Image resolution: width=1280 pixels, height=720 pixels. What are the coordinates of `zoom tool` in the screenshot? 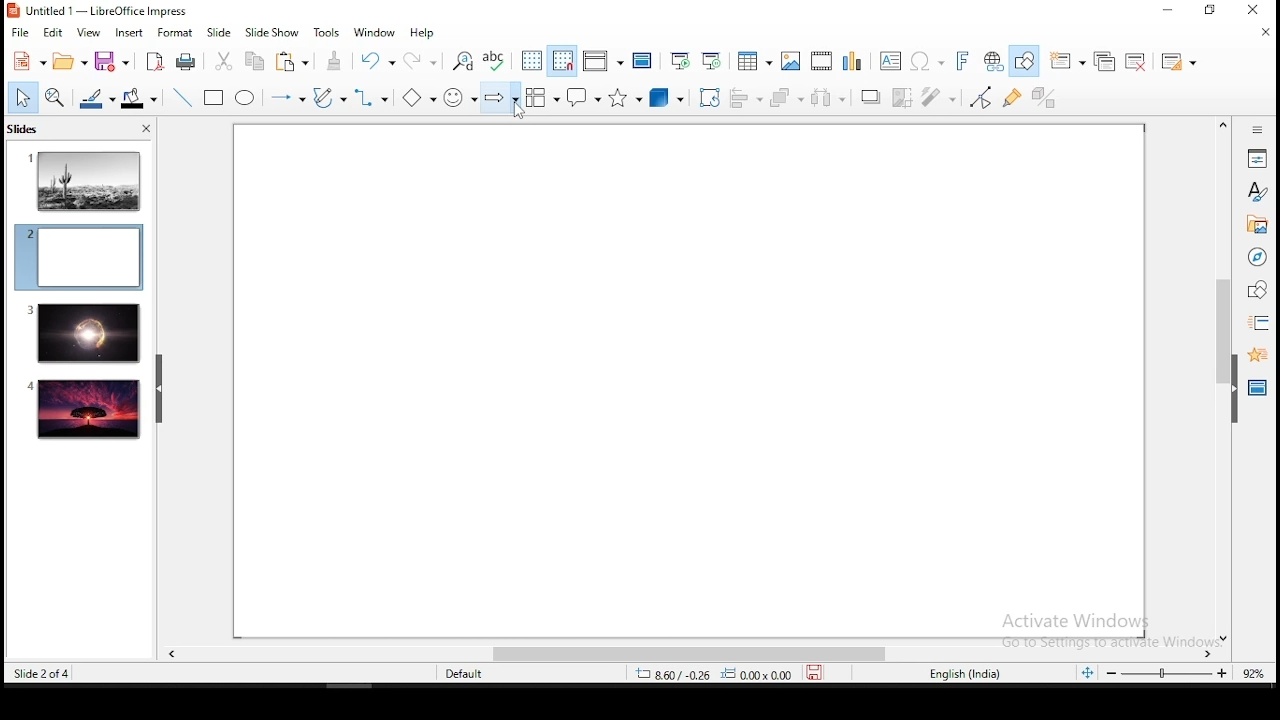 It's located at (55, 99).